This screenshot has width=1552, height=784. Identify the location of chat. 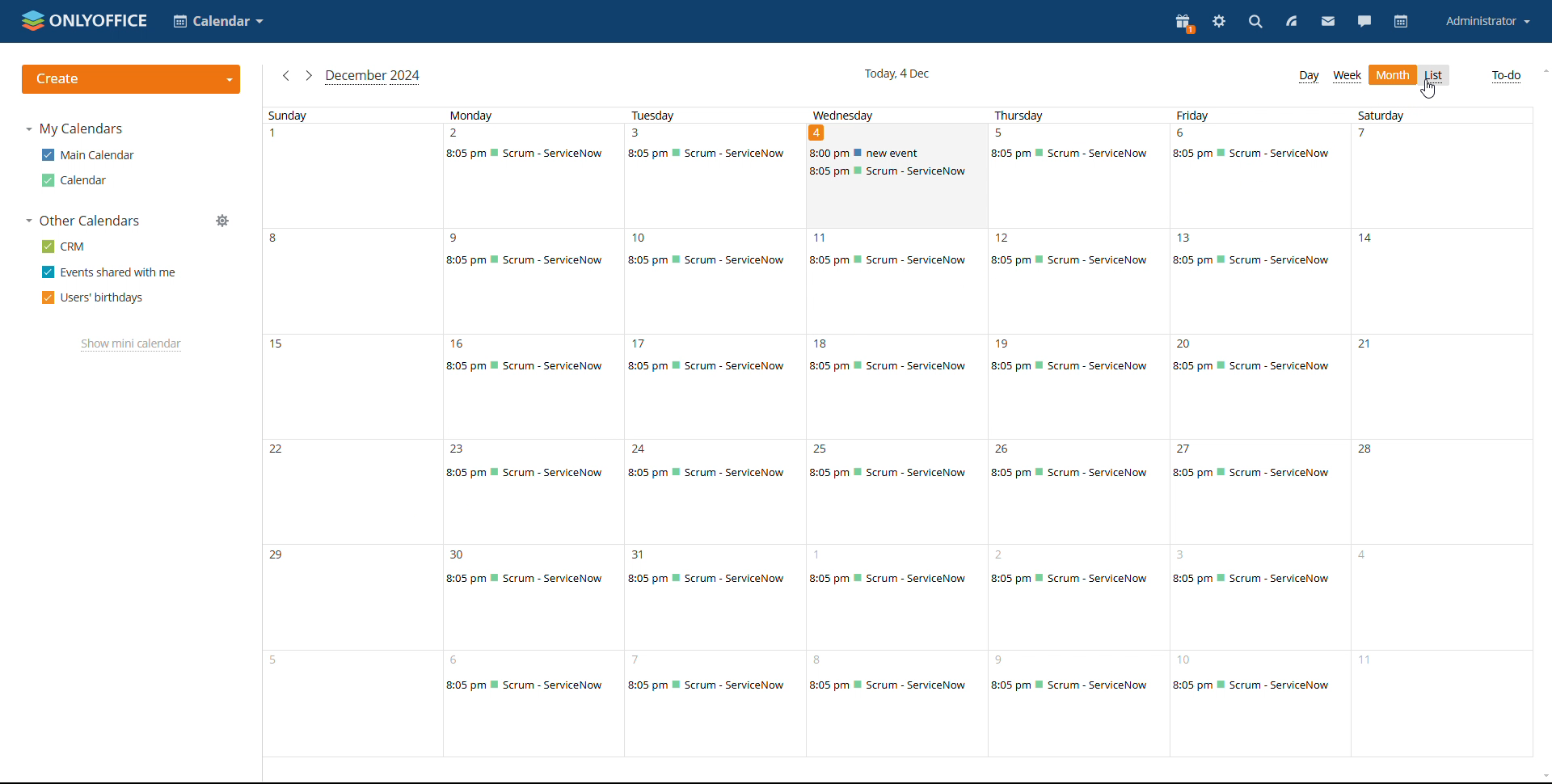
(1365, 22).